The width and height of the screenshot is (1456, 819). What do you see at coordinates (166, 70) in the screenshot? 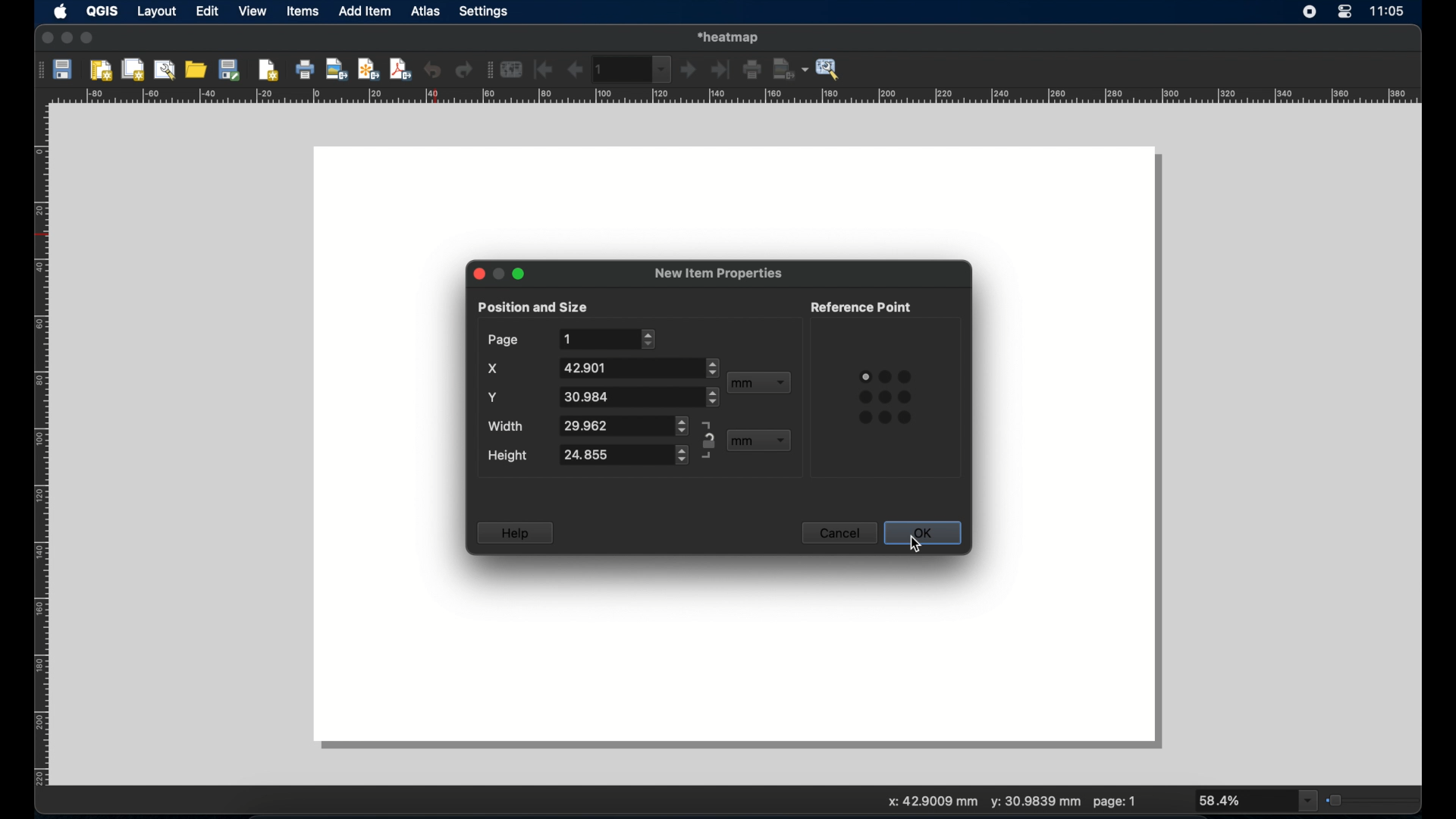
I see `layout manager` at bounding box center [166, 70].